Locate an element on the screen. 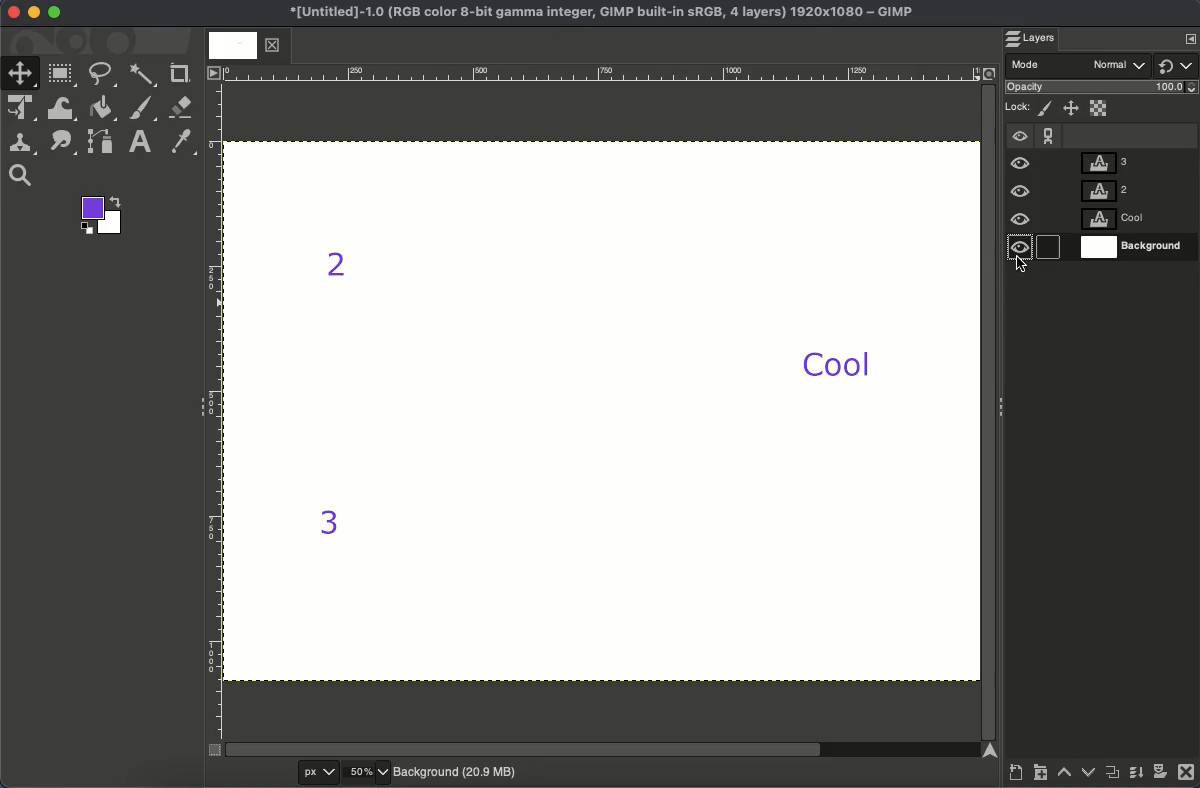  Brush is located at coordinates (143, 109).